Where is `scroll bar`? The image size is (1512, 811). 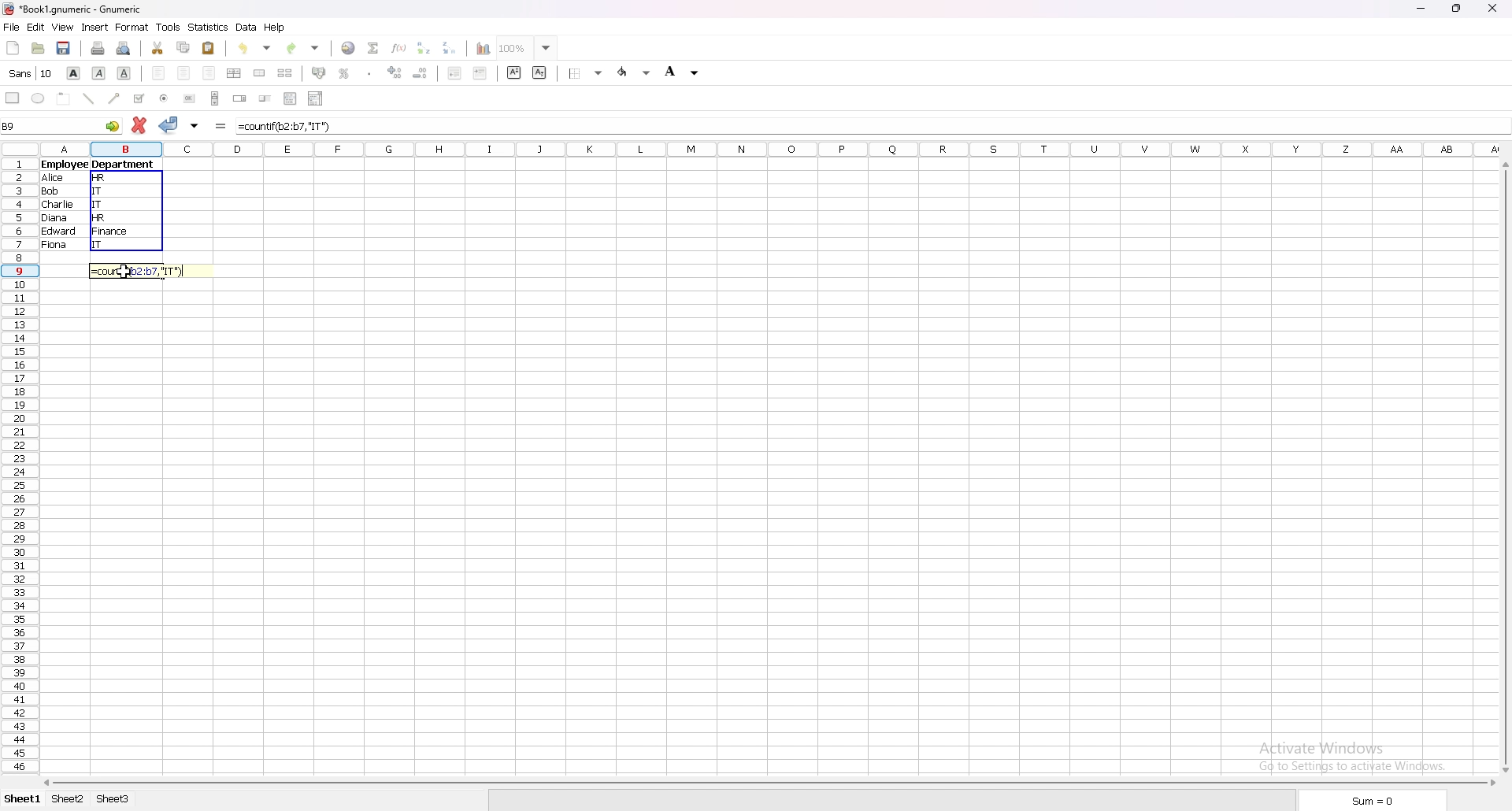 scroll bar is located at coordinates (770, 782).